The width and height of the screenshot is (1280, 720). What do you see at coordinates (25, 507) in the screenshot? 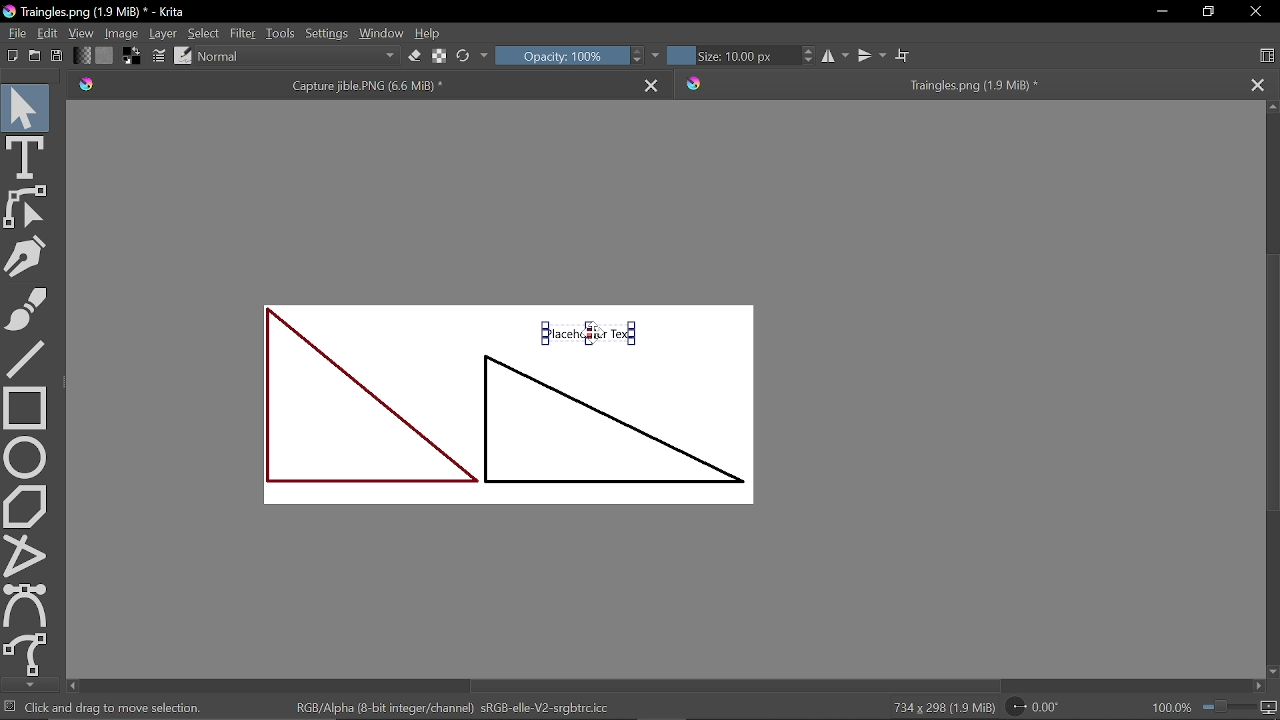
I see `Polygon tool` at bounding box center [25, 507].